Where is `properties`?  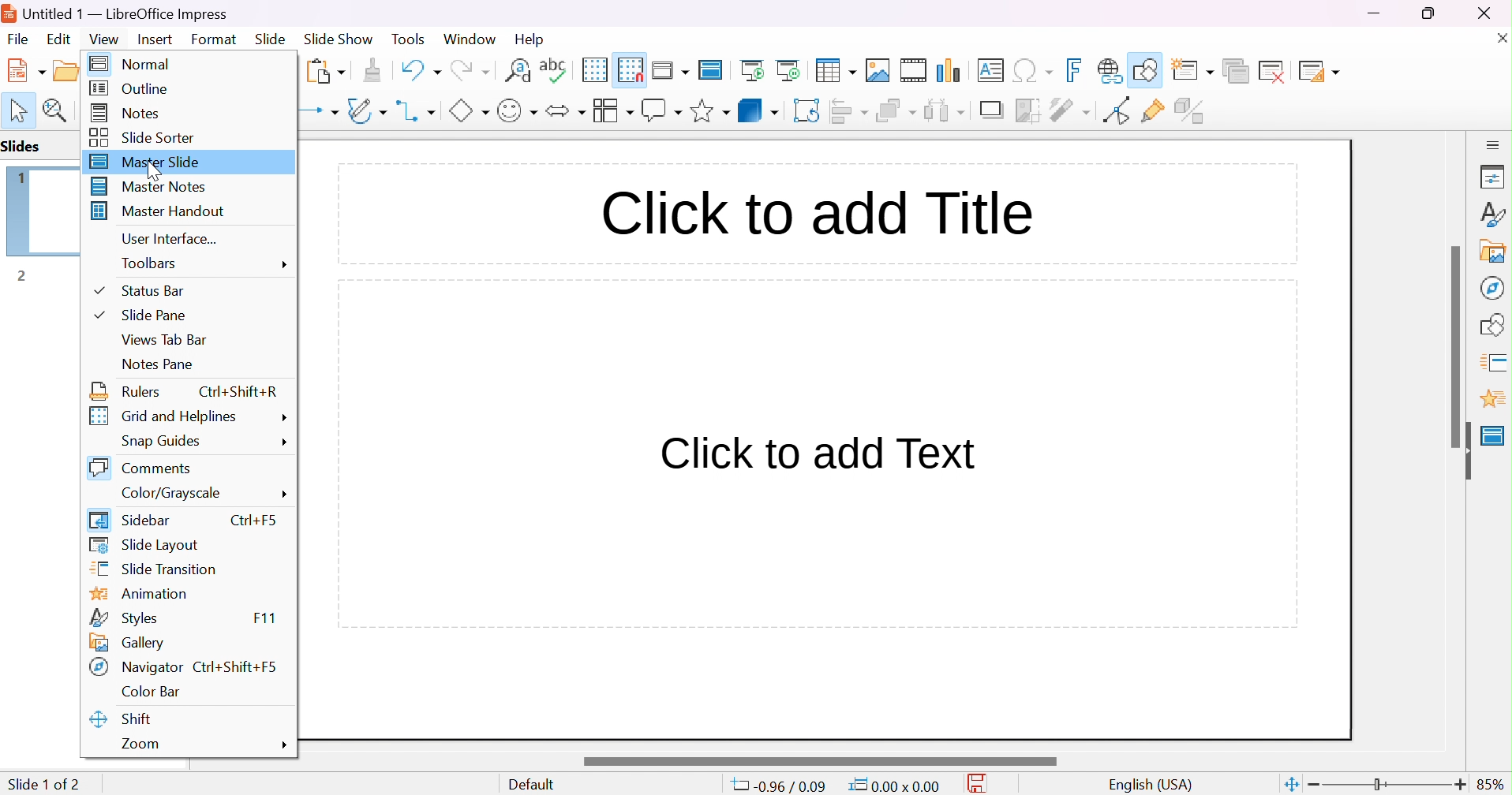
properties is located at coordinates (1493, 178).